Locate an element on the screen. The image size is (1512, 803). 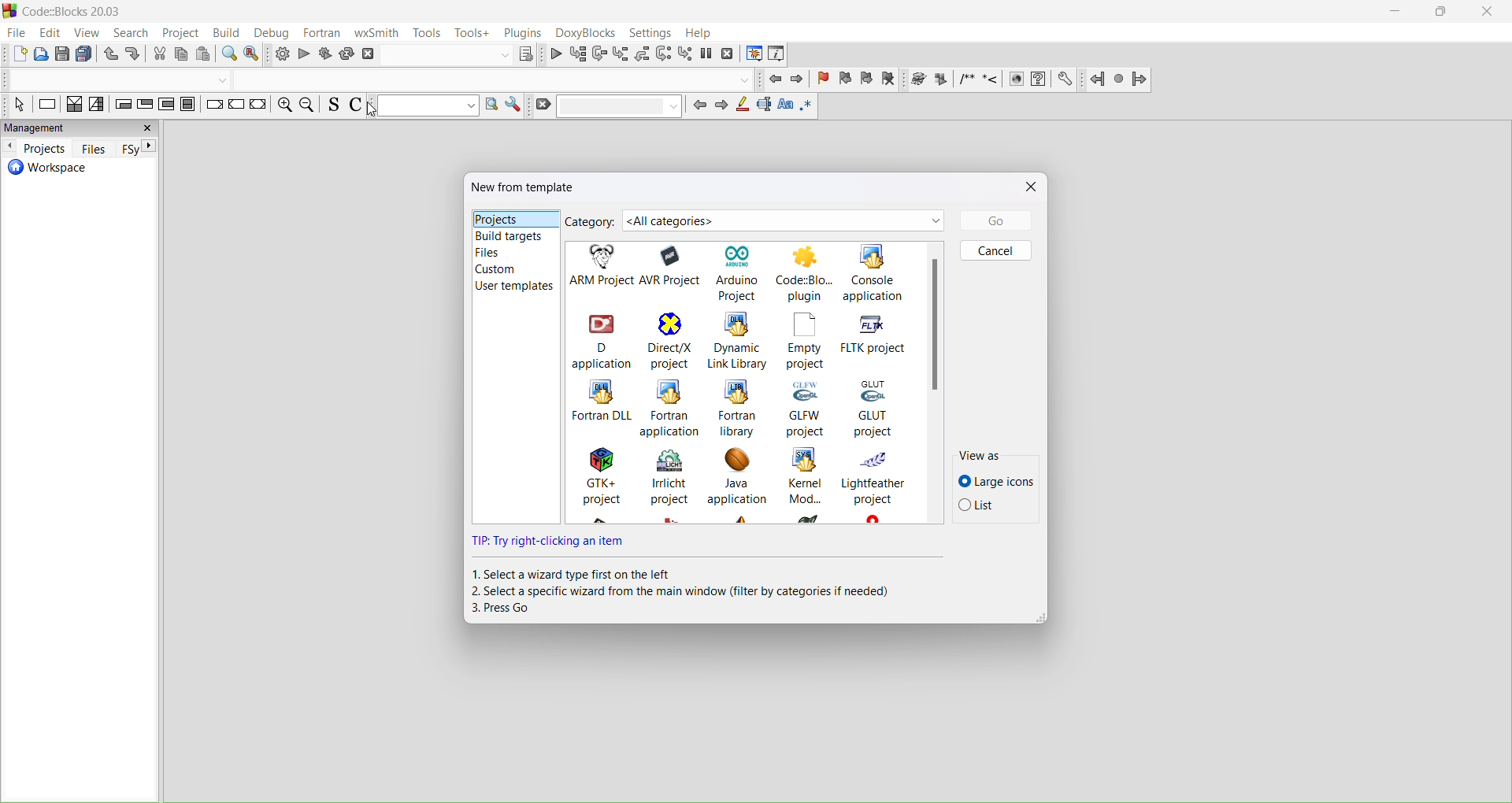
lightfeather is located at coordinates (875, 485).